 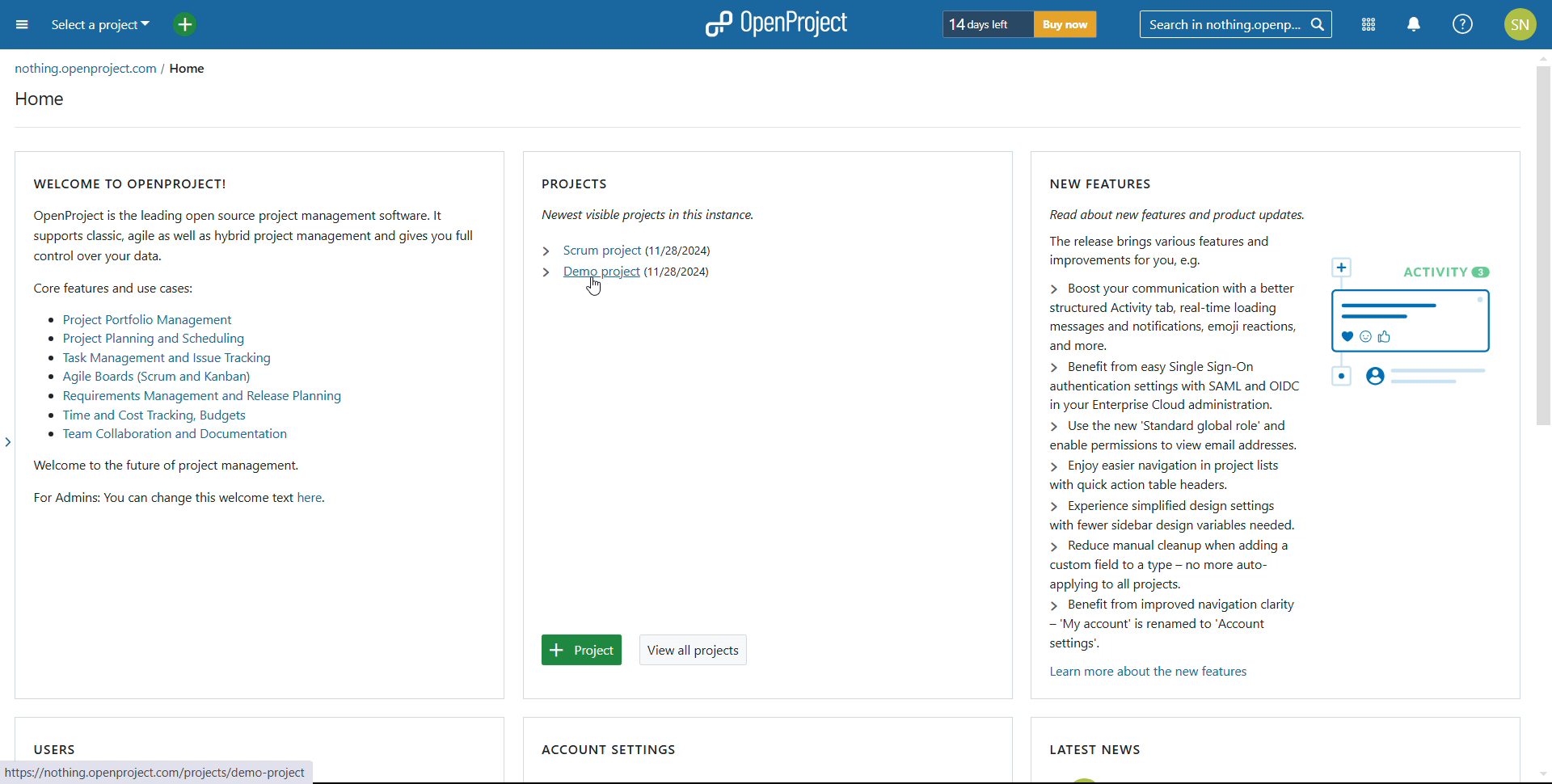 What do you see at coordinates (1065, 24) in the screenshot?
I see `buy now` at bounding box center [1065, 24].